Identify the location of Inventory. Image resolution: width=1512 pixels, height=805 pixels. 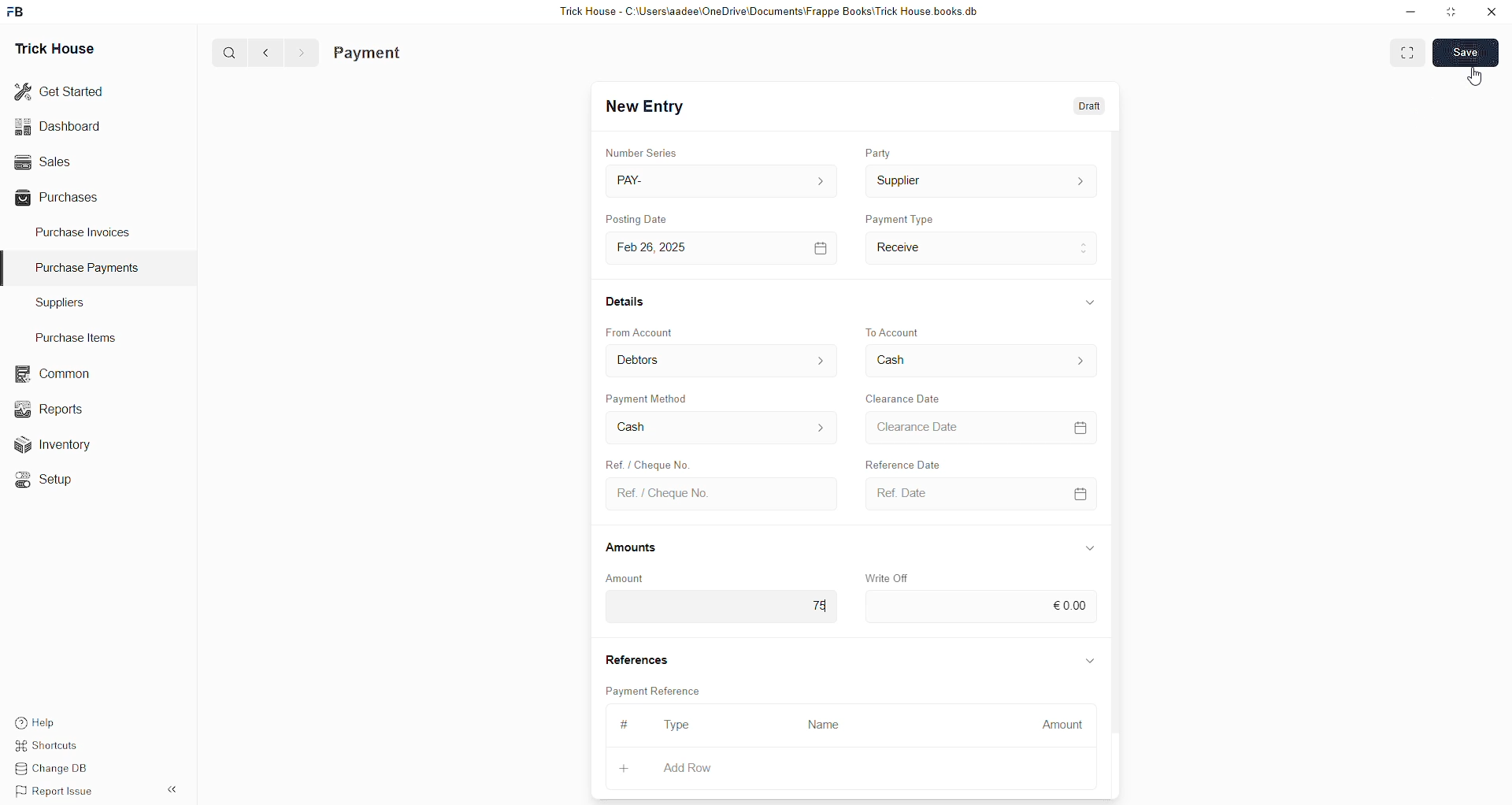
(54, 443).